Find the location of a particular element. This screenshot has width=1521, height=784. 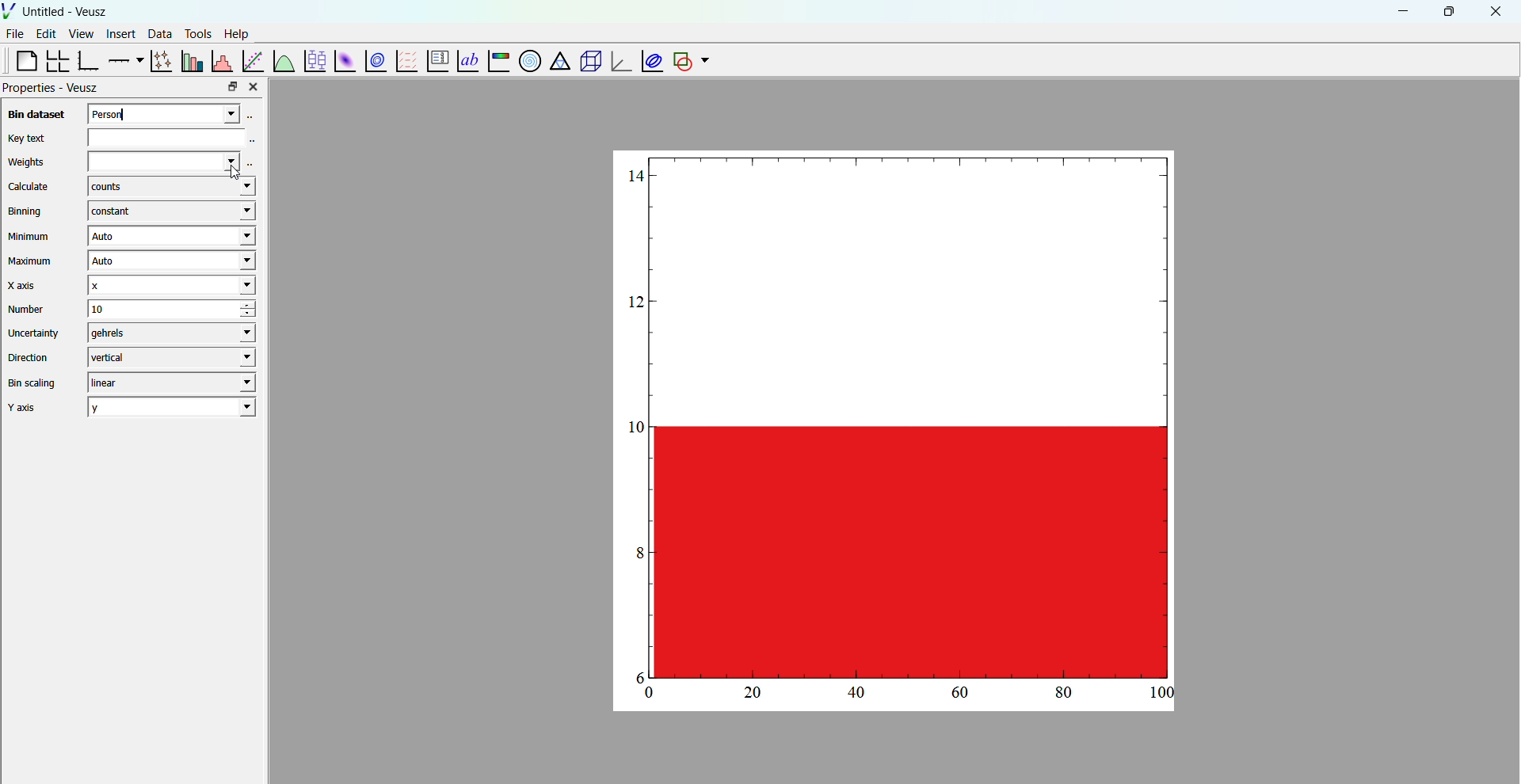

vertical is located at coordinates (170, 356).